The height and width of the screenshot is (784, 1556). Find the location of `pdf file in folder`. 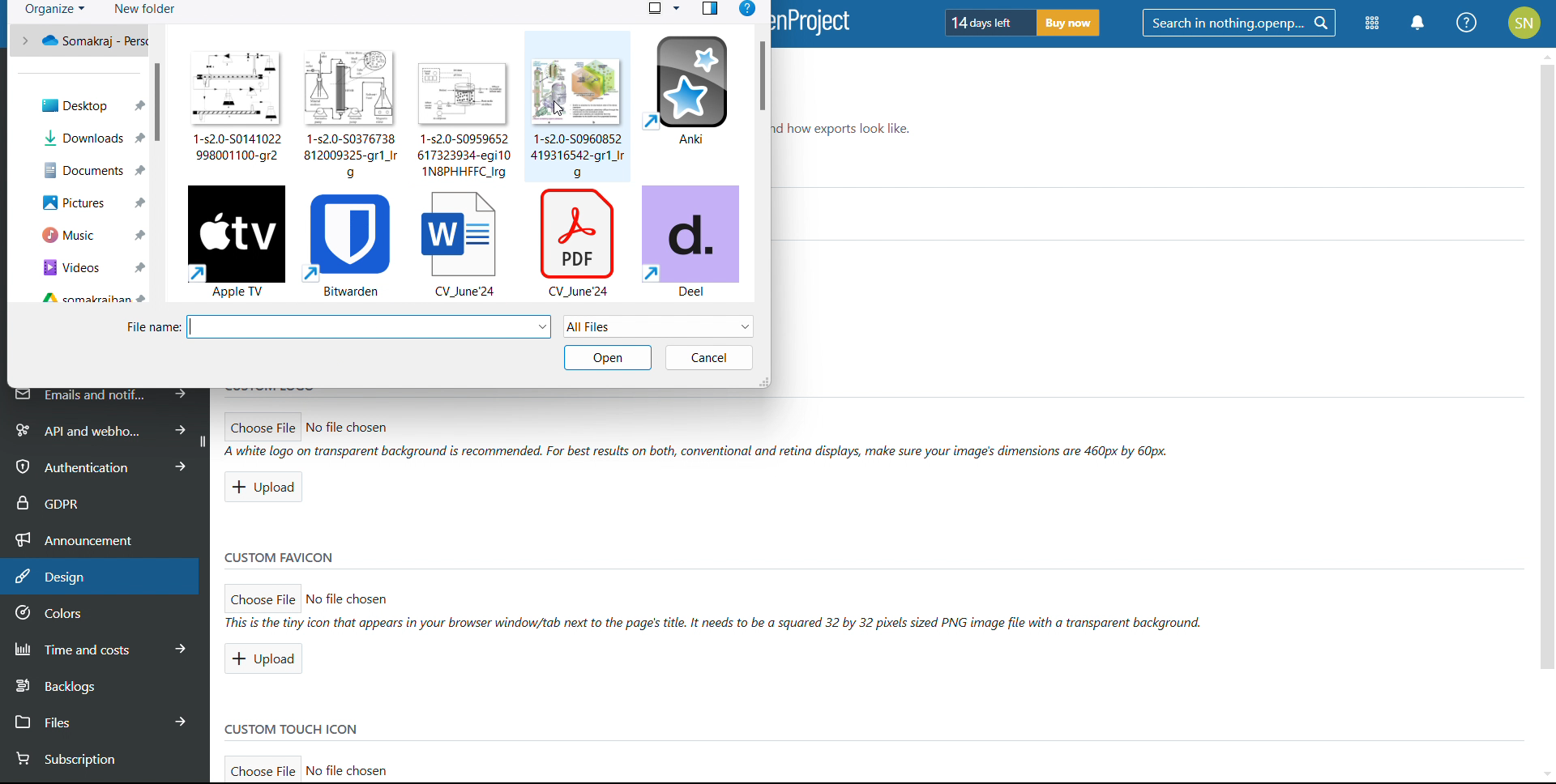

pdf file in folder is located at coordinates (582, 244).